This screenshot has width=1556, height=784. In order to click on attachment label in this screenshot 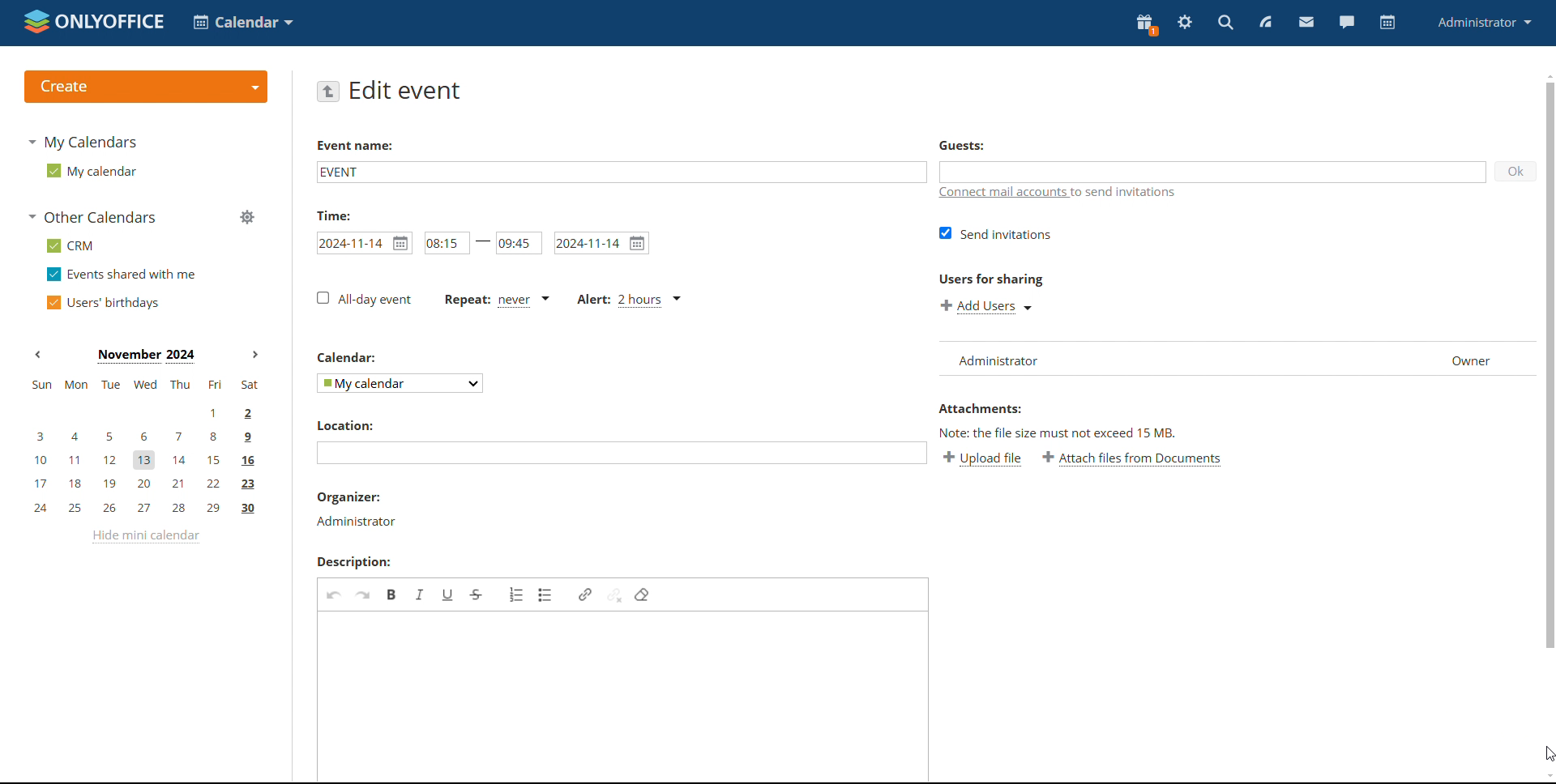, I will do `click(988, 408)`.